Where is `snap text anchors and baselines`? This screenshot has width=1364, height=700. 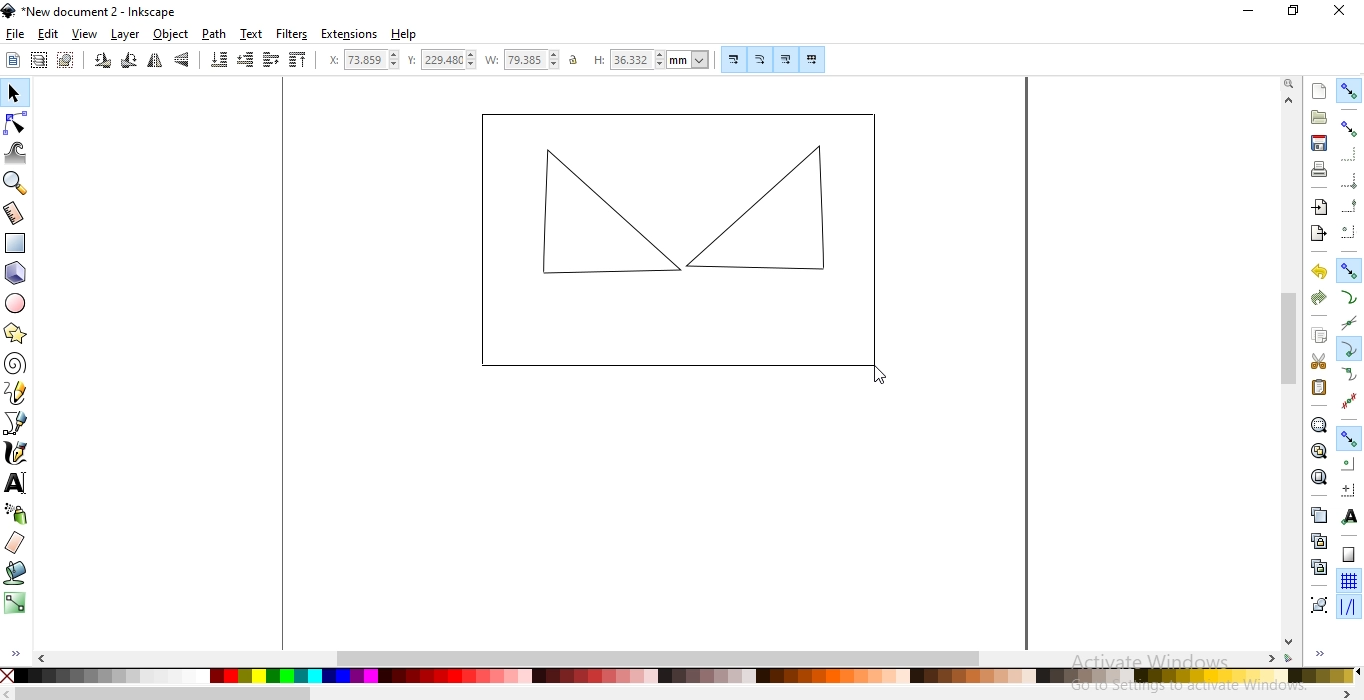
snap text anchors and baselines is located at coordinates (1350, 515).